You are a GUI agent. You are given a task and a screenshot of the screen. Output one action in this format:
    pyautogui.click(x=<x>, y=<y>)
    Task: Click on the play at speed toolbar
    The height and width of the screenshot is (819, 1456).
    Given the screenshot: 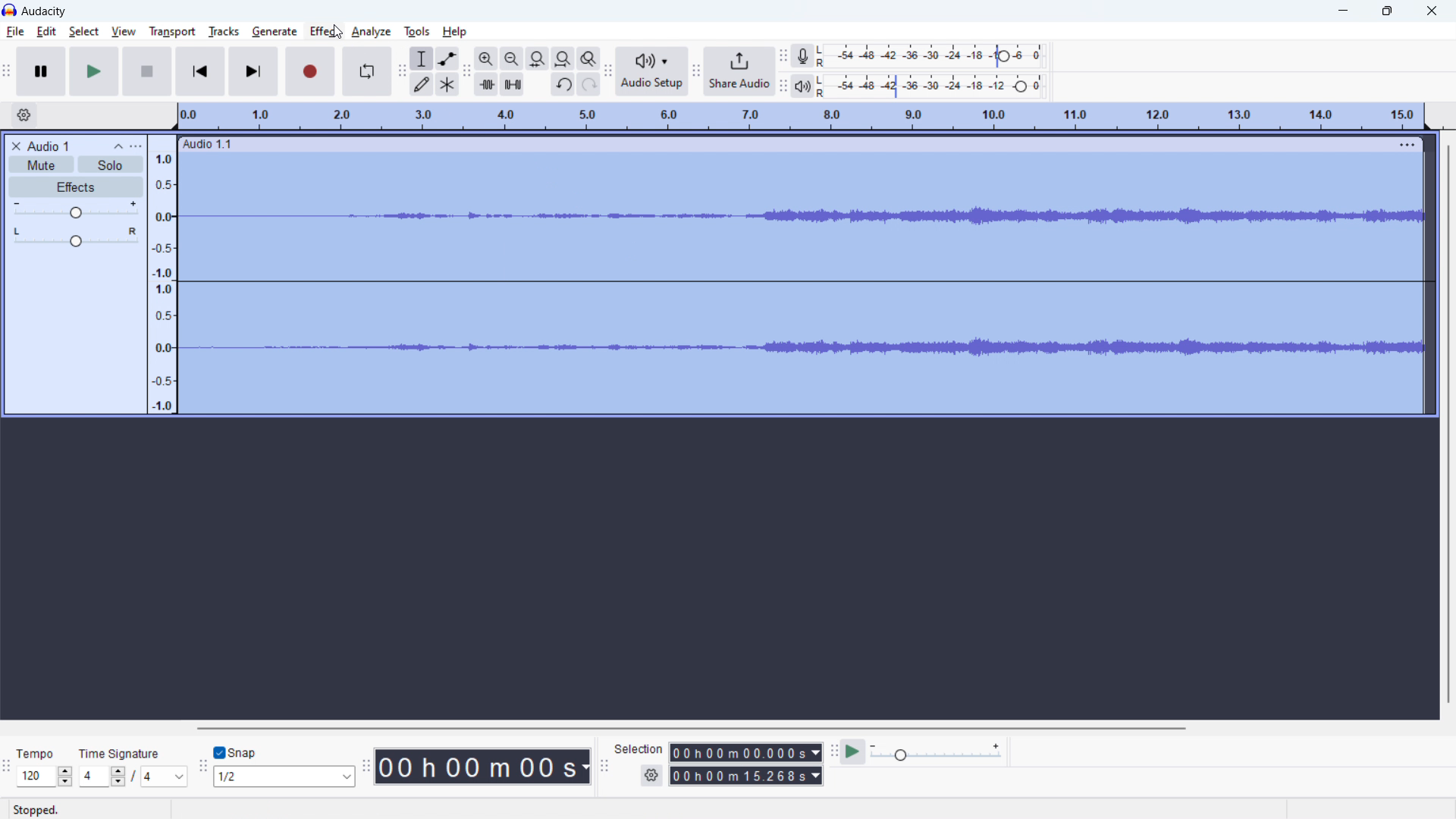 What is the action you would take?
    pyautogui.click(x=833, y=752)
    